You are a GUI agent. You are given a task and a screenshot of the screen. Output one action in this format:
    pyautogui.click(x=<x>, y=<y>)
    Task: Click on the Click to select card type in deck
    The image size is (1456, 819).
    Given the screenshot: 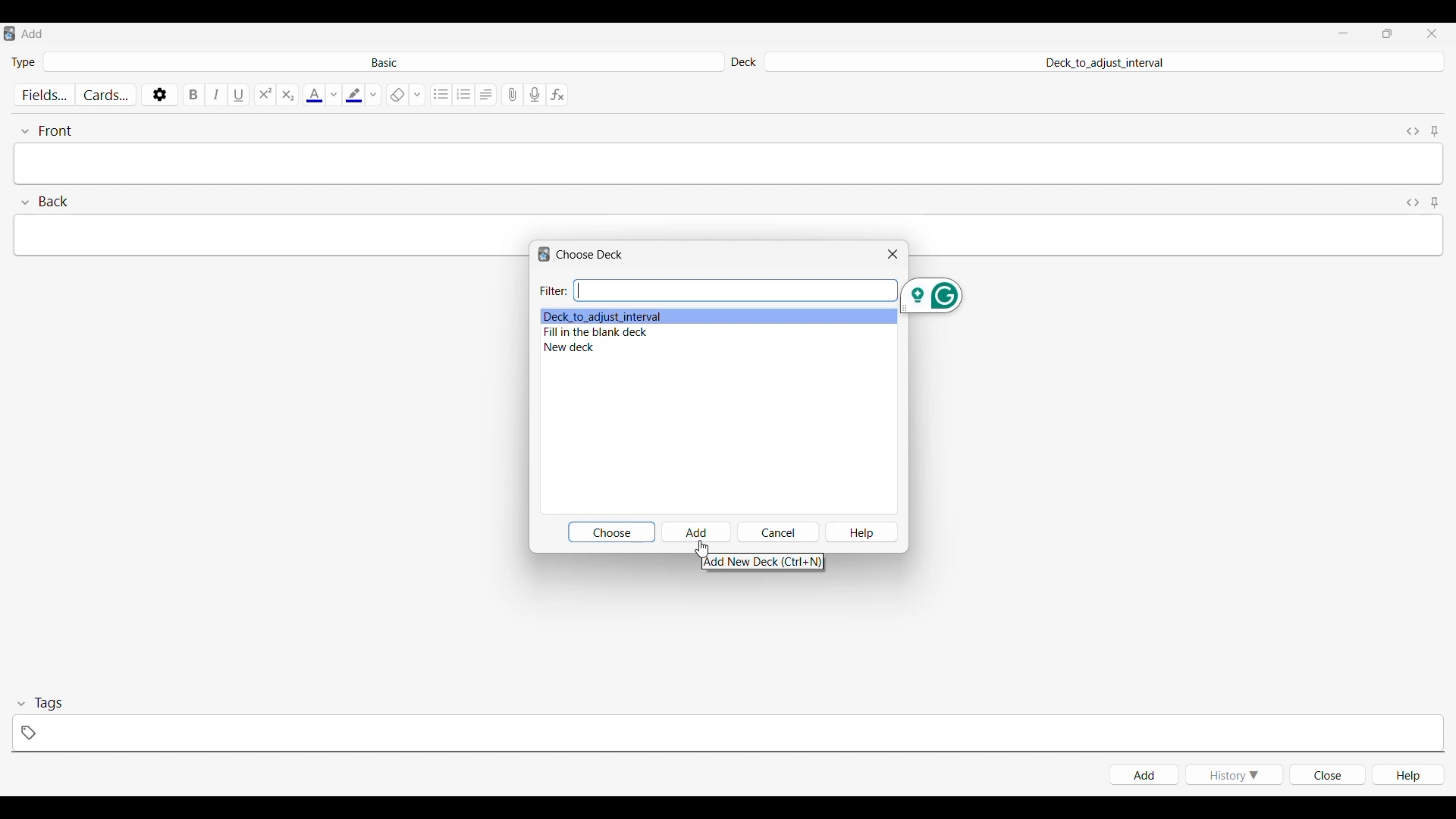 What is the action you would take?
    pyautogui.click(x=384, y=61)
    